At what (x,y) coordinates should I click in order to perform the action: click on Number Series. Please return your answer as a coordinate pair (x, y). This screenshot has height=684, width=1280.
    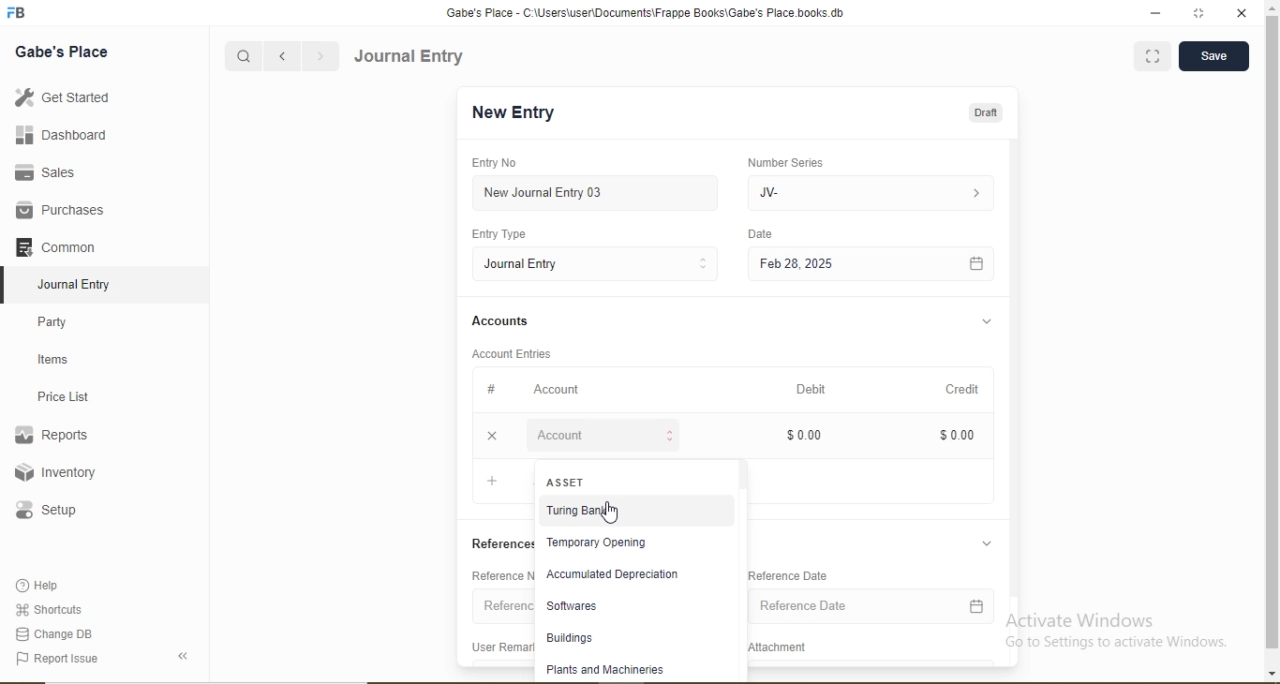
    Looking at the image, I should click on (787, 162).